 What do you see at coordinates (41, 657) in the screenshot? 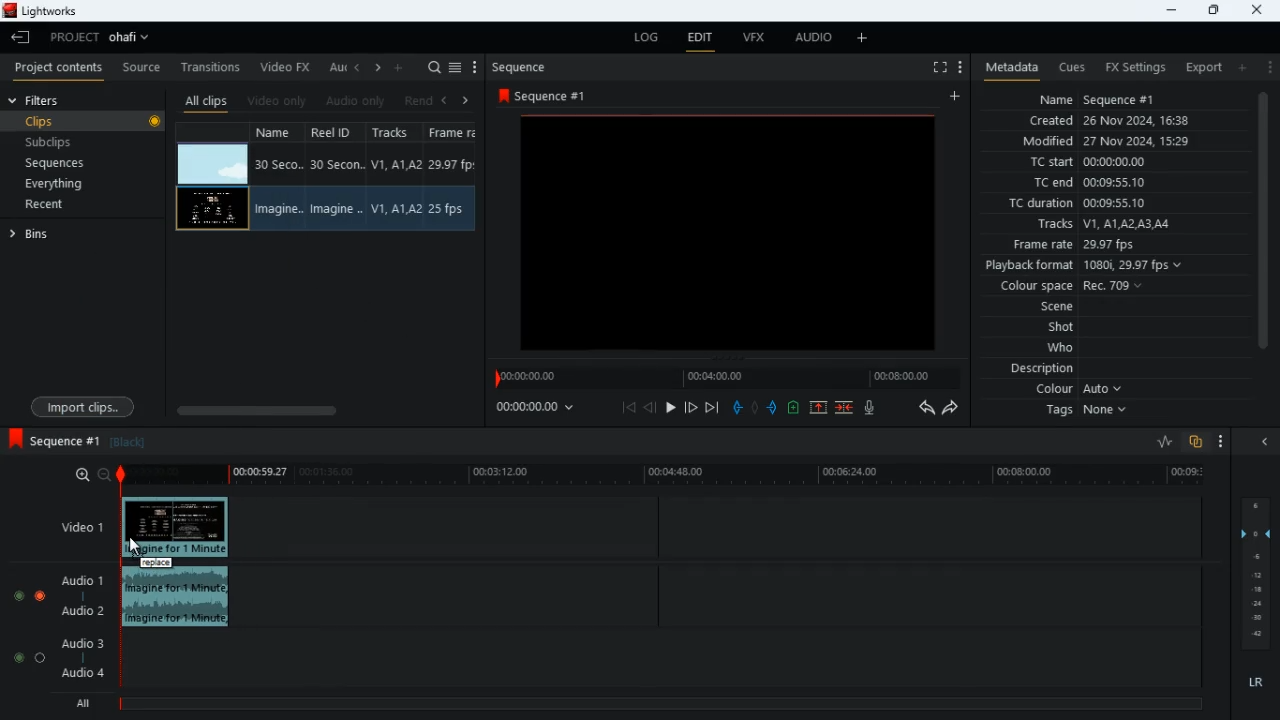
I see `toggle` at bounding box center [41, 657].